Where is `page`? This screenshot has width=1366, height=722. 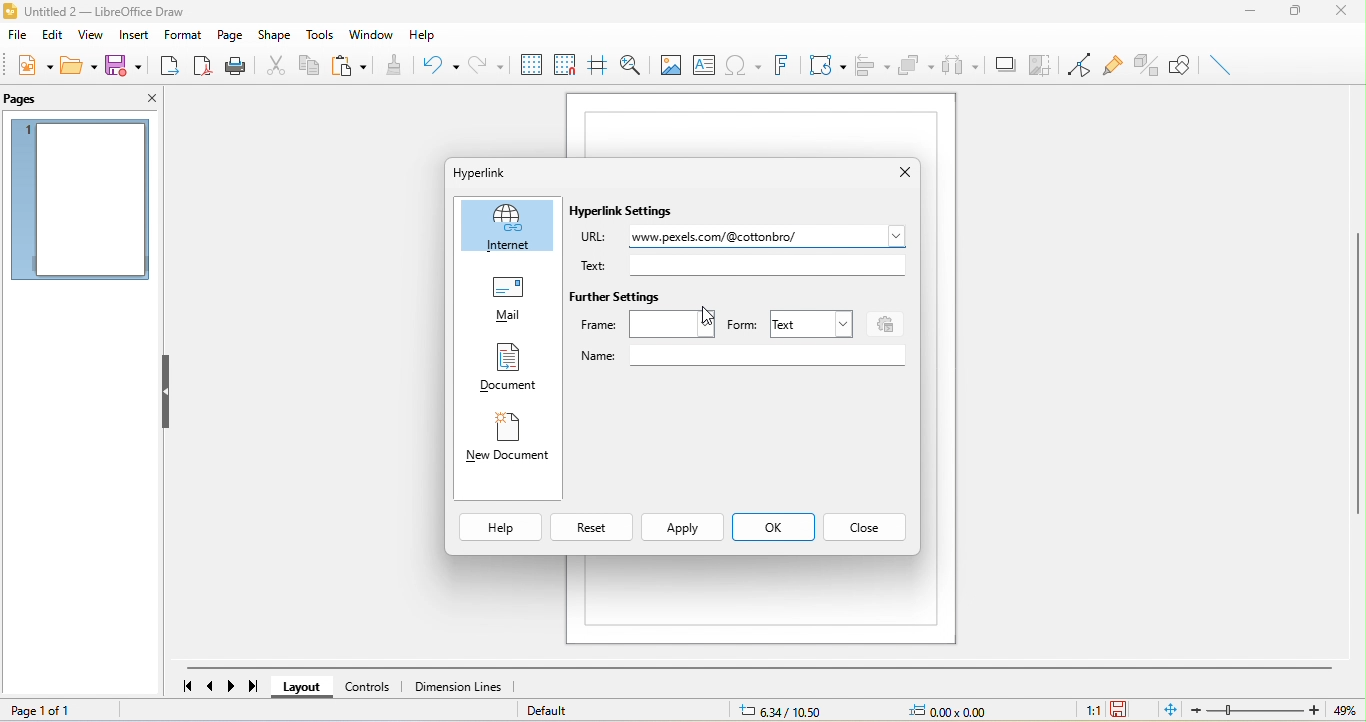 page is located at coordinates (233, 36).